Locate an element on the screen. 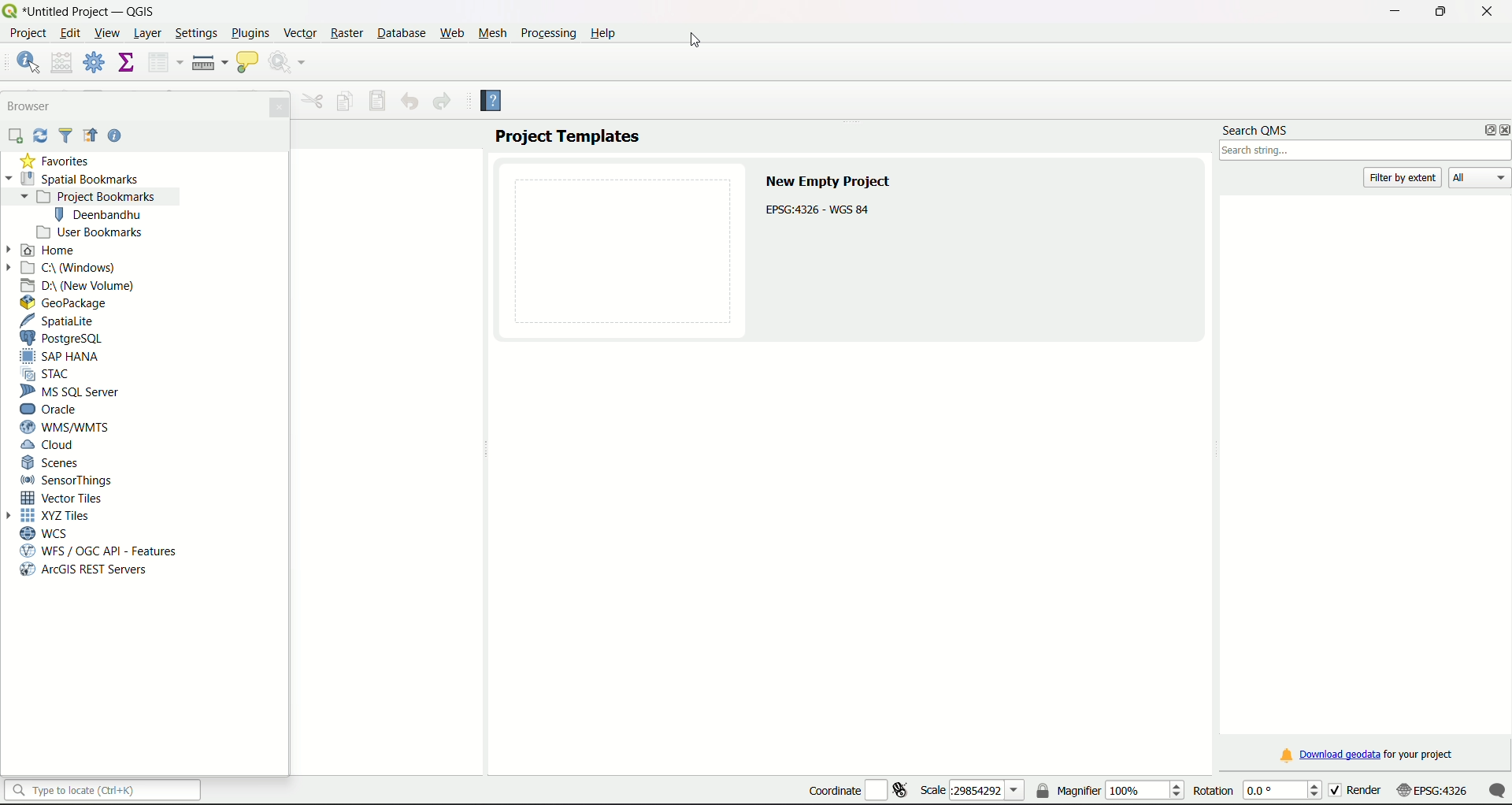 Image resolution: width=1512 pixels, height=805 pixels. search box is located at coordinates (1366, 151).